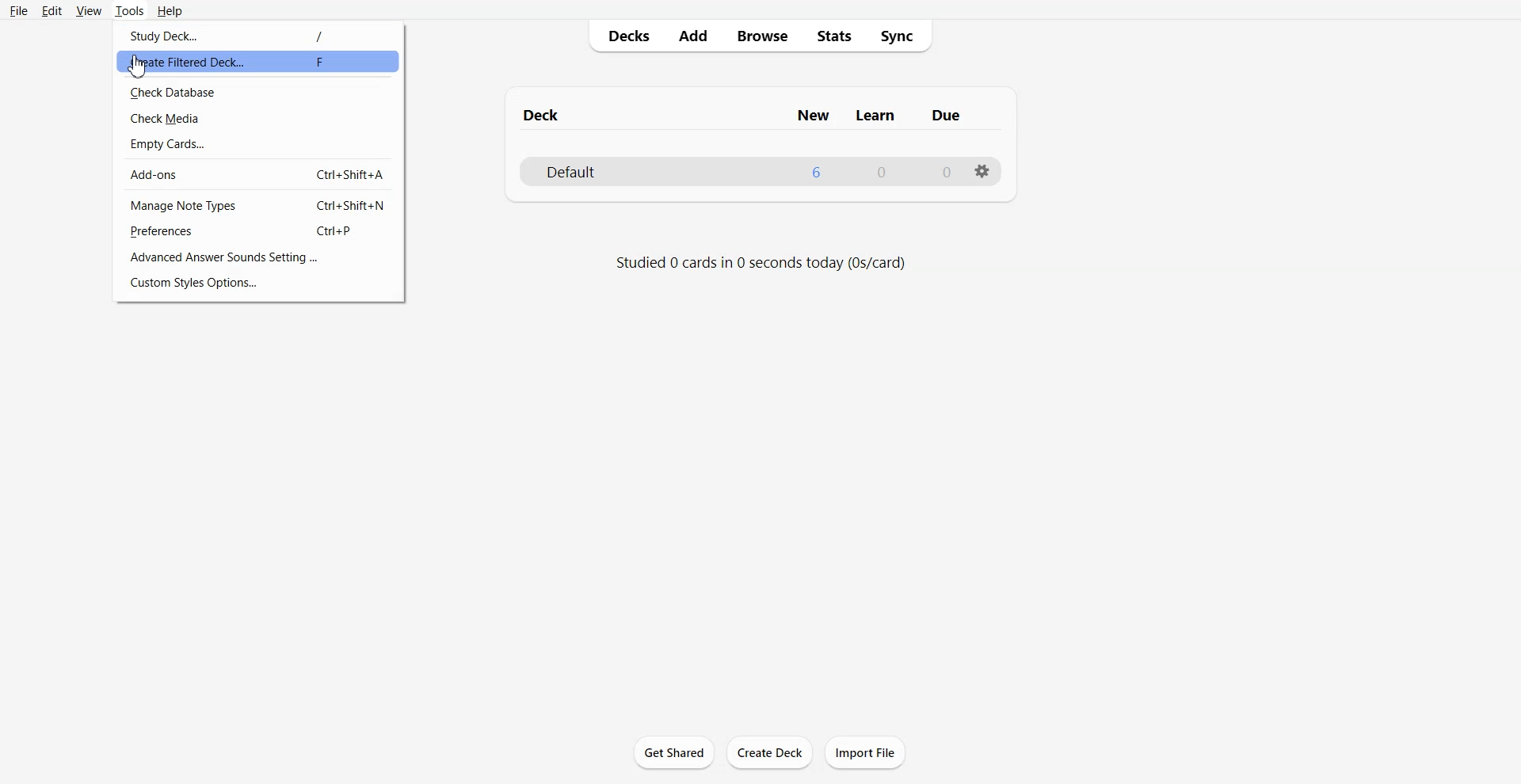 Image resolution: width=1521 pixels, height=784 pixels. What do you see at coordinates (764, 36) in the screenshot?
I see `Browse` at bounding box center [764, 36].